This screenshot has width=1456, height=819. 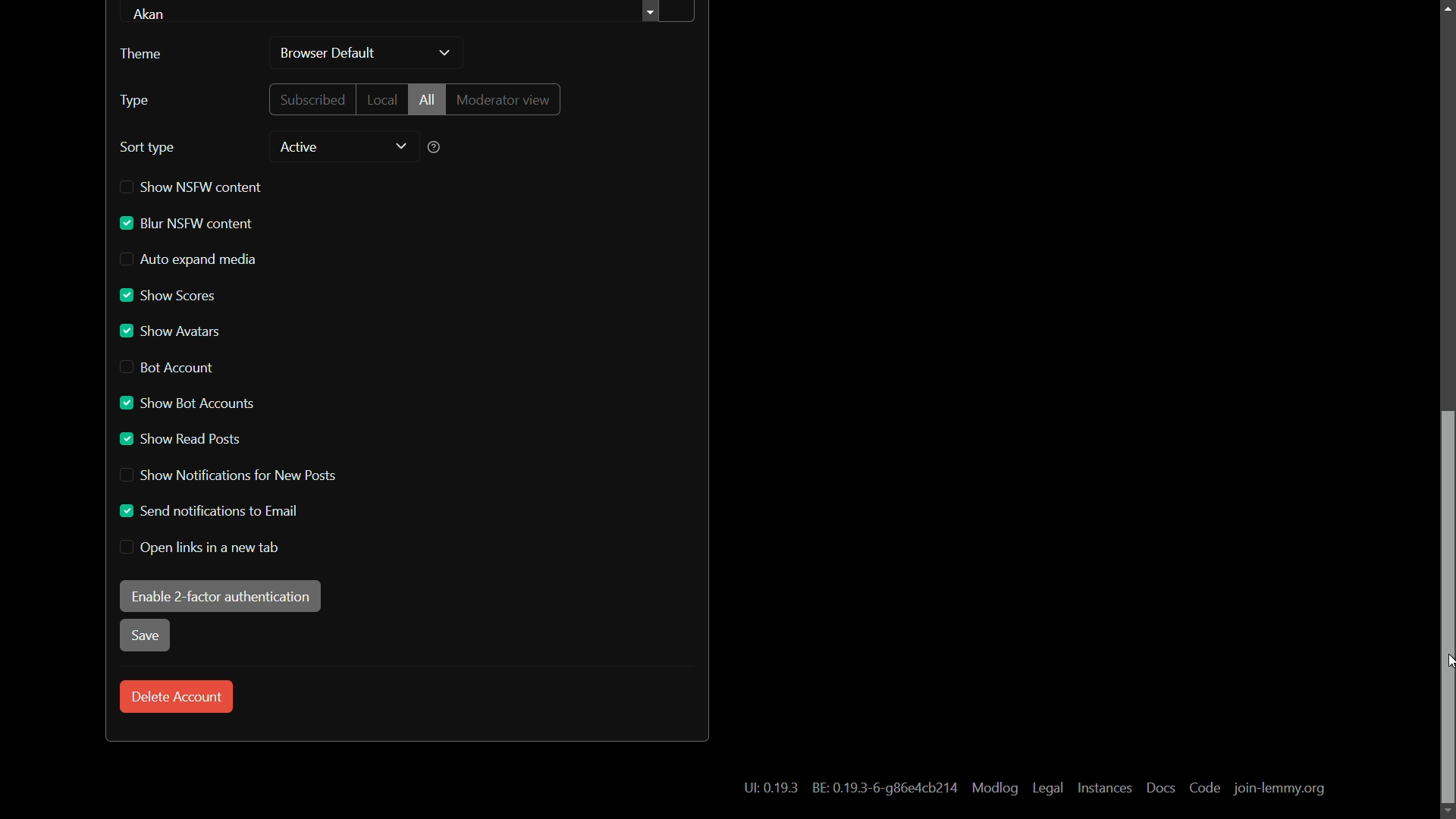 What do you see at coordinates (297, 147) in the screenshot?
I see `active` at bounding box center [297, 147].